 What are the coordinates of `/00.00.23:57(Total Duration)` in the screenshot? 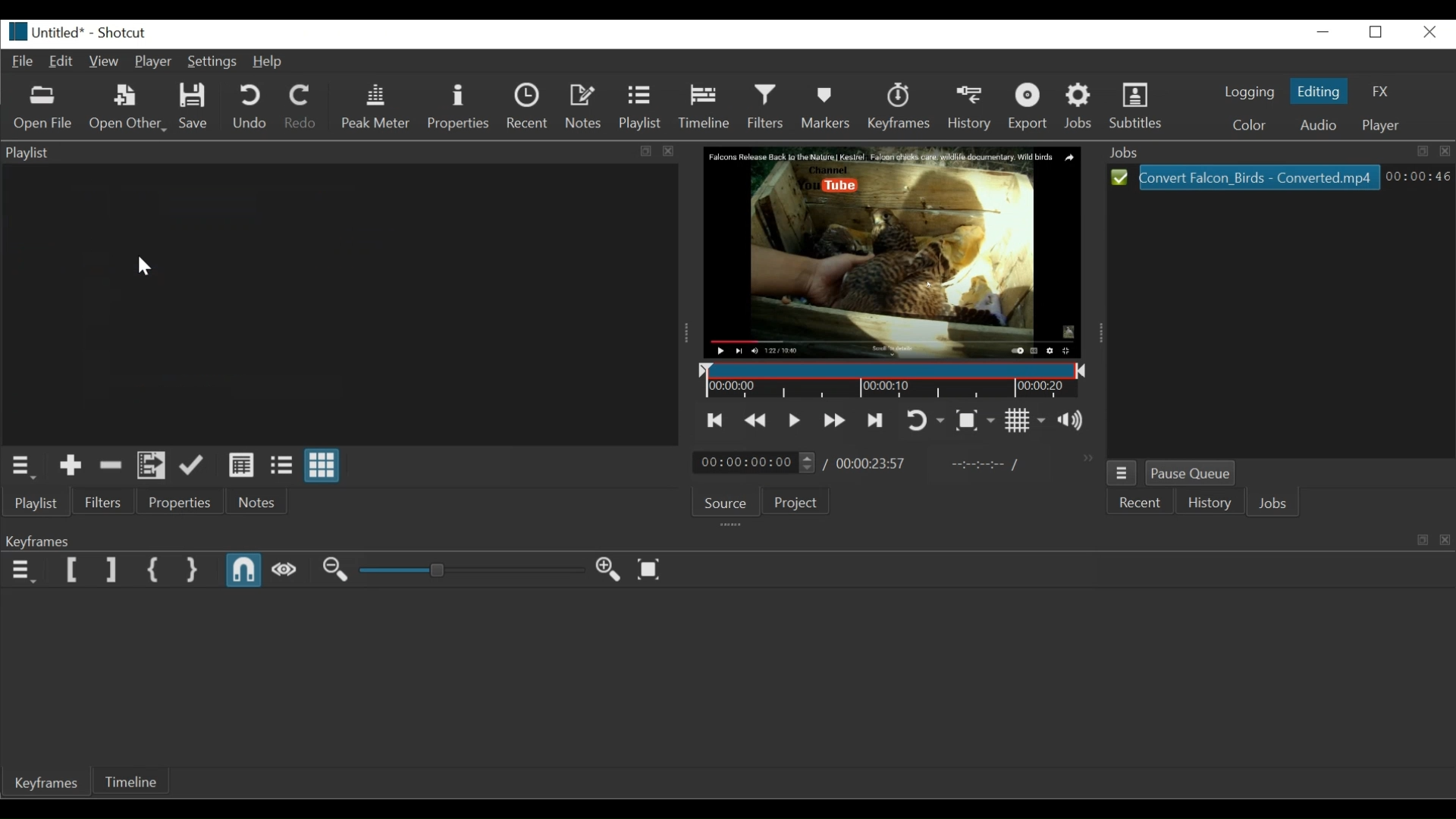 It's located at (867, 464).